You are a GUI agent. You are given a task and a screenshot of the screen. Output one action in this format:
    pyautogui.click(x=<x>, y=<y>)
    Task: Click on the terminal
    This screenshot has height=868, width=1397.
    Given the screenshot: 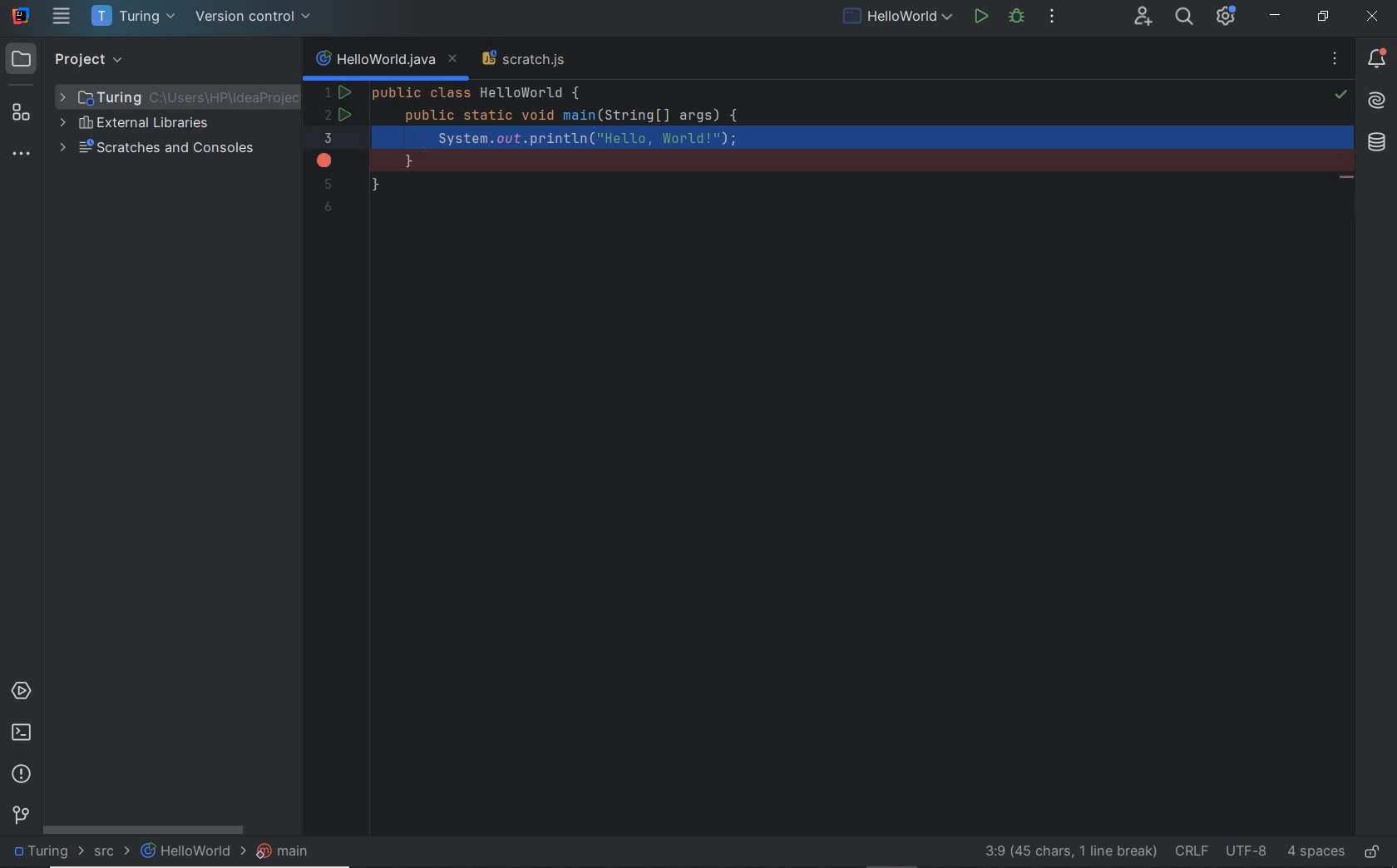 What is the action you would take?
    pyautogui.click(x=23, y=734)
    